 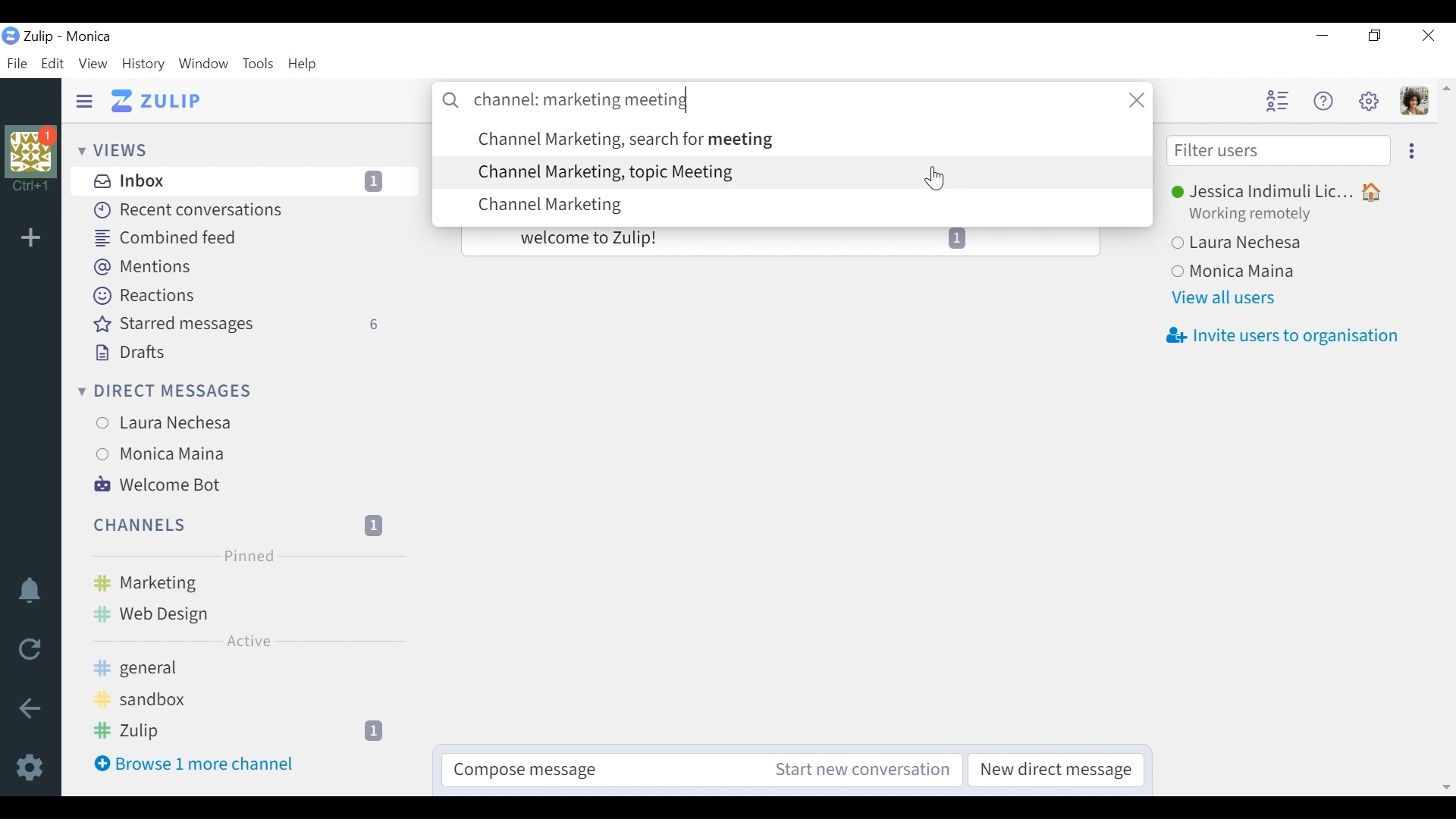 What do you see at coordinates (87, 99) in the screenshot?
I see `Hide` at bounding box center [87, 99].